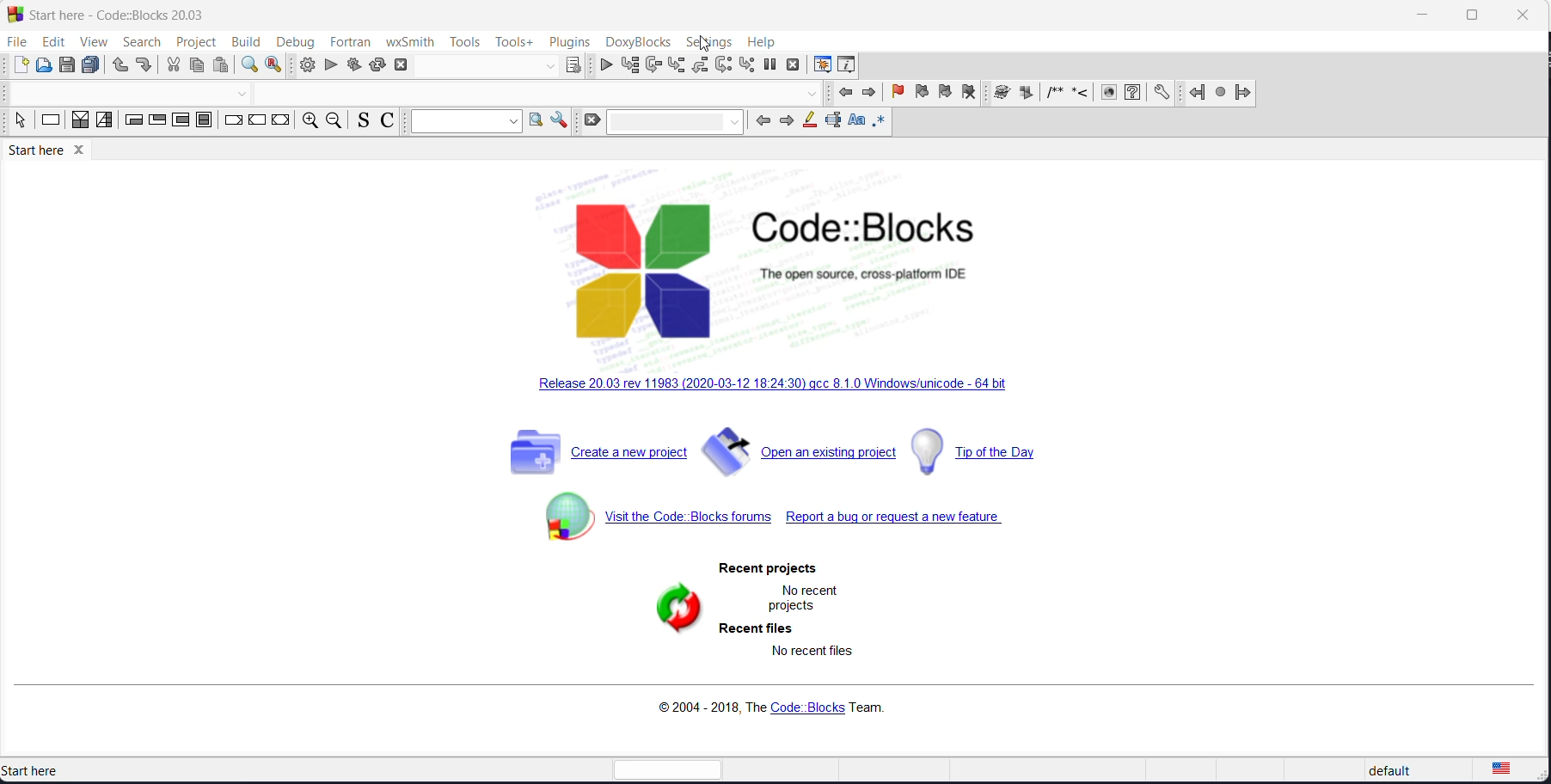  Describe the element at coordinates (280, 123) in the screenshot. I see `return instruction` at that location.